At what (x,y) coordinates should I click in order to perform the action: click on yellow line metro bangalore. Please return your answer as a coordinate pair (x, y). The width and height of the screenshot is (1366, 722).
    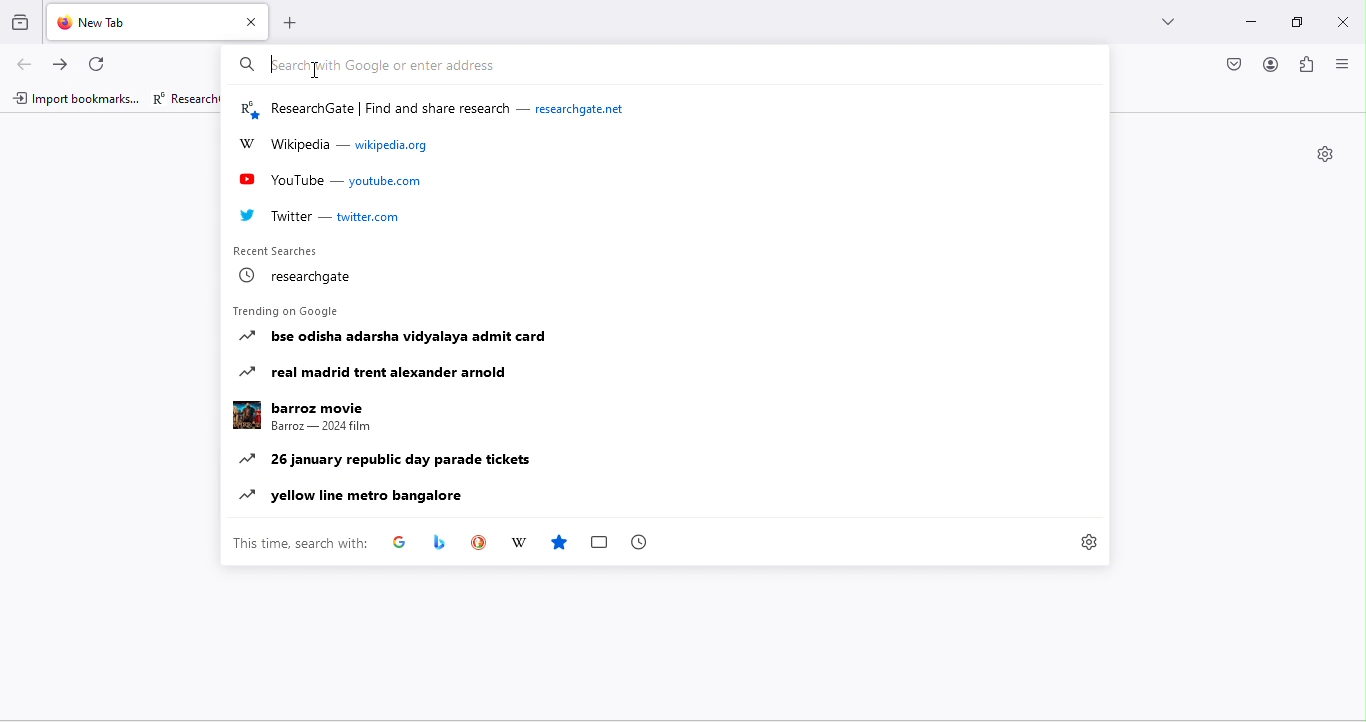
    Looking at the image, I should click on (355, 496).